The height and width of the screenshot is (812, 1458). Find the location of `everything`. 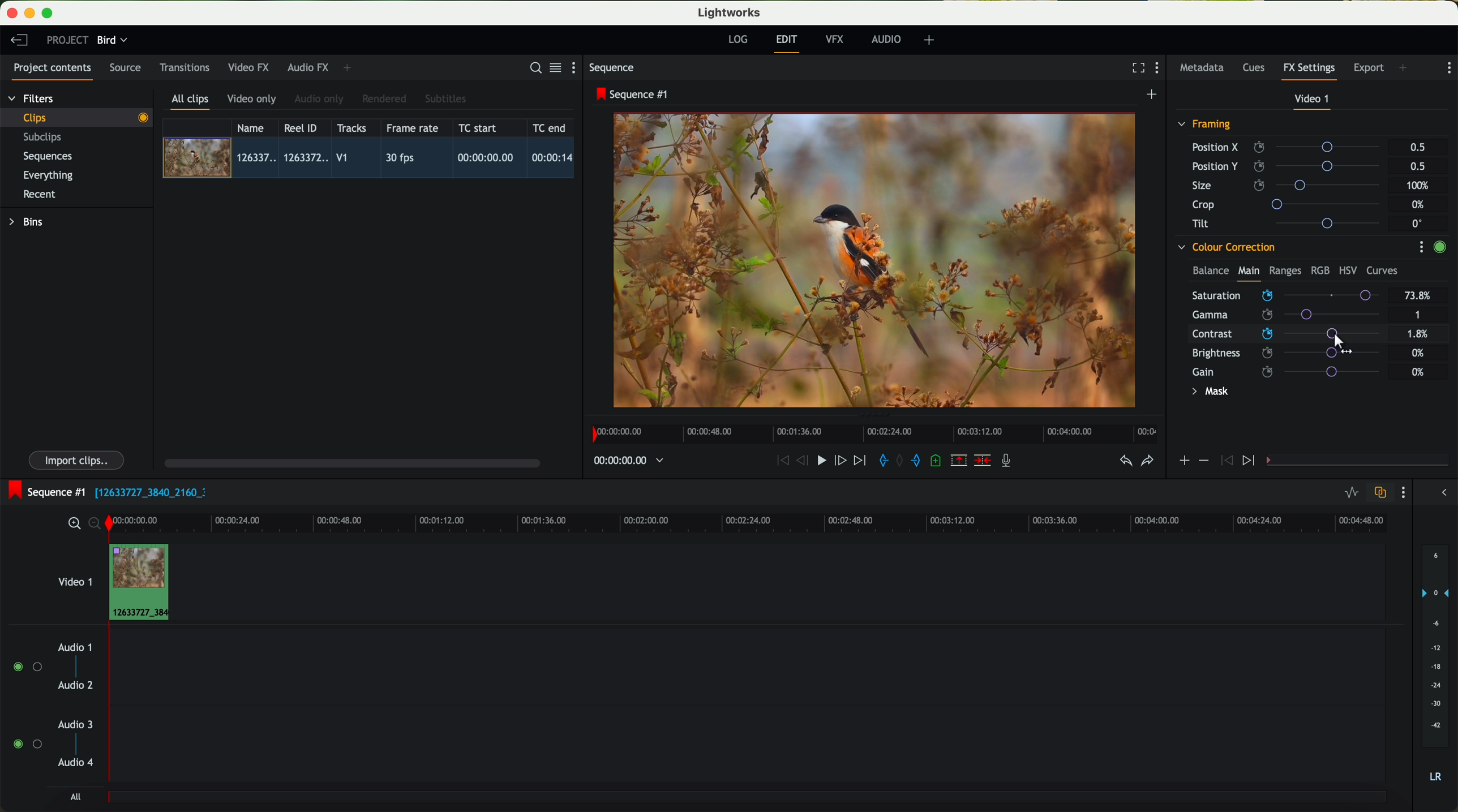

everything is located at coordinates (49, 175).